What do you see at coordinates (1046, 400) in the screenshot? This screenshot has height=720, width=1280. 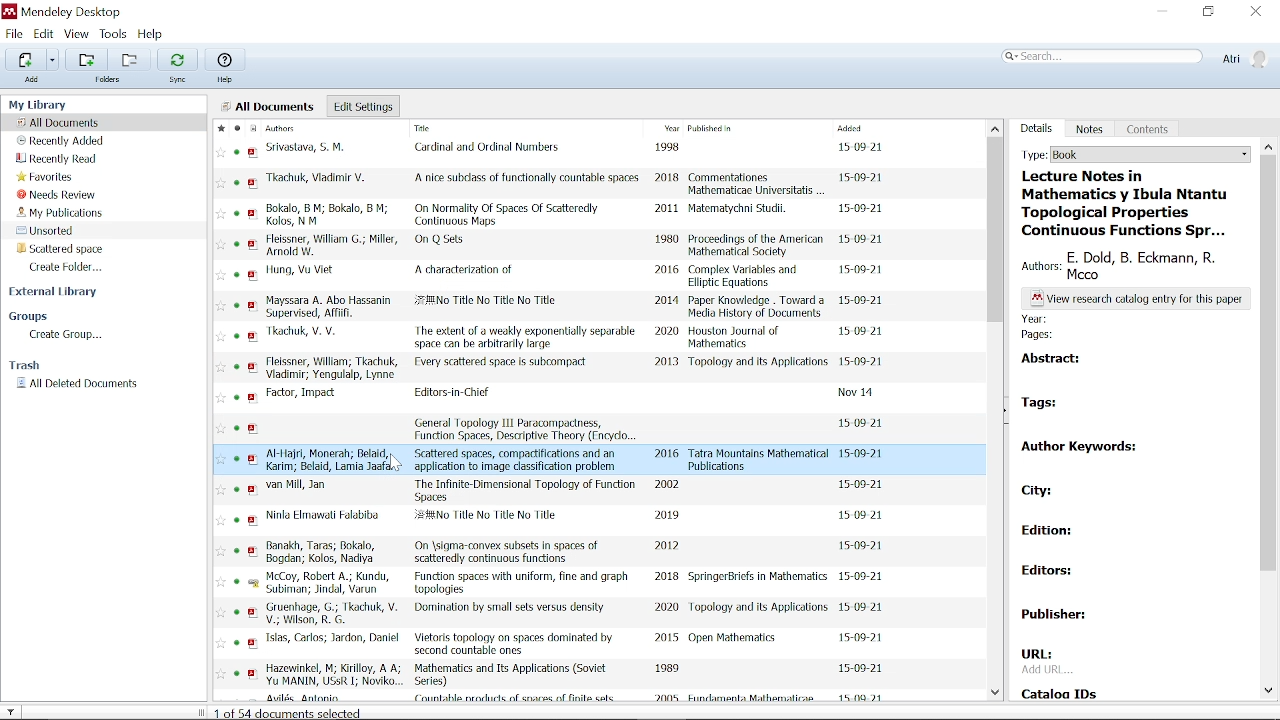 I see `tags` at bounding box center [1046, 400].